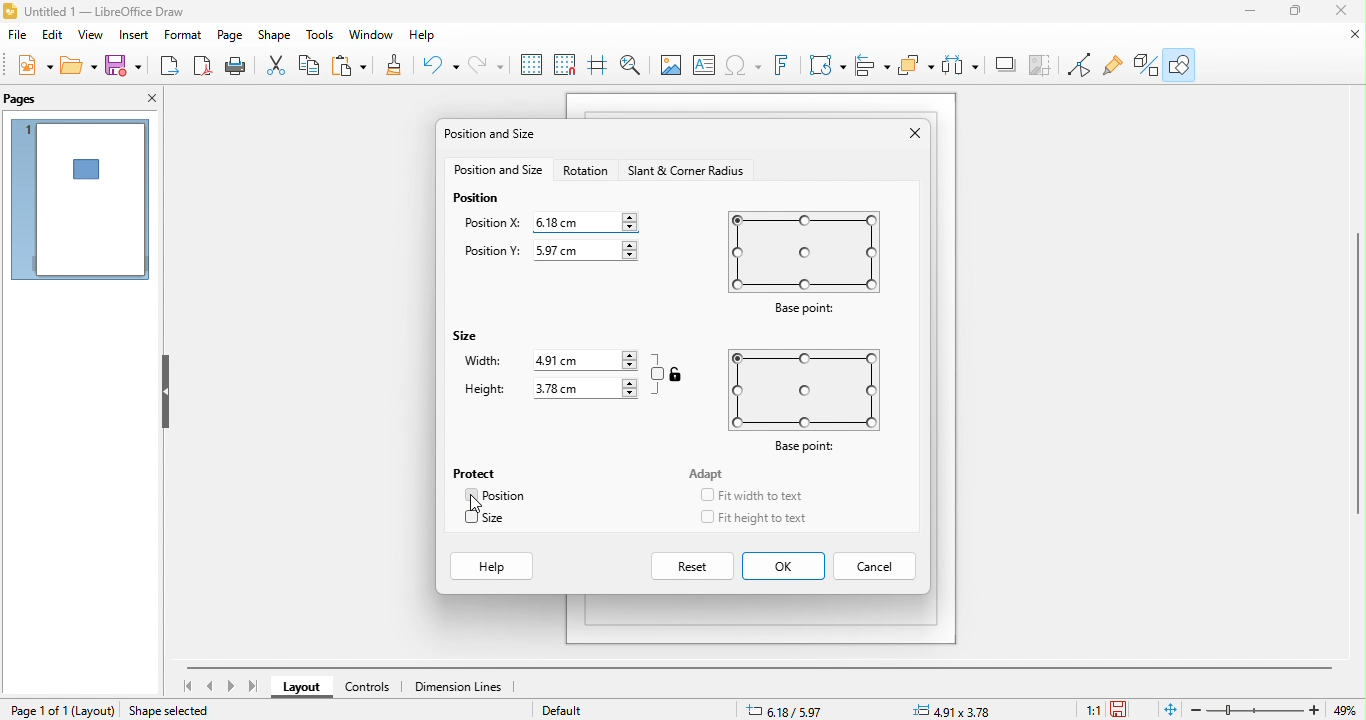  What do you see at coordinates (603, 66) in the screenshot?
I see `helplines while moving` at bounding box center [603, 66].